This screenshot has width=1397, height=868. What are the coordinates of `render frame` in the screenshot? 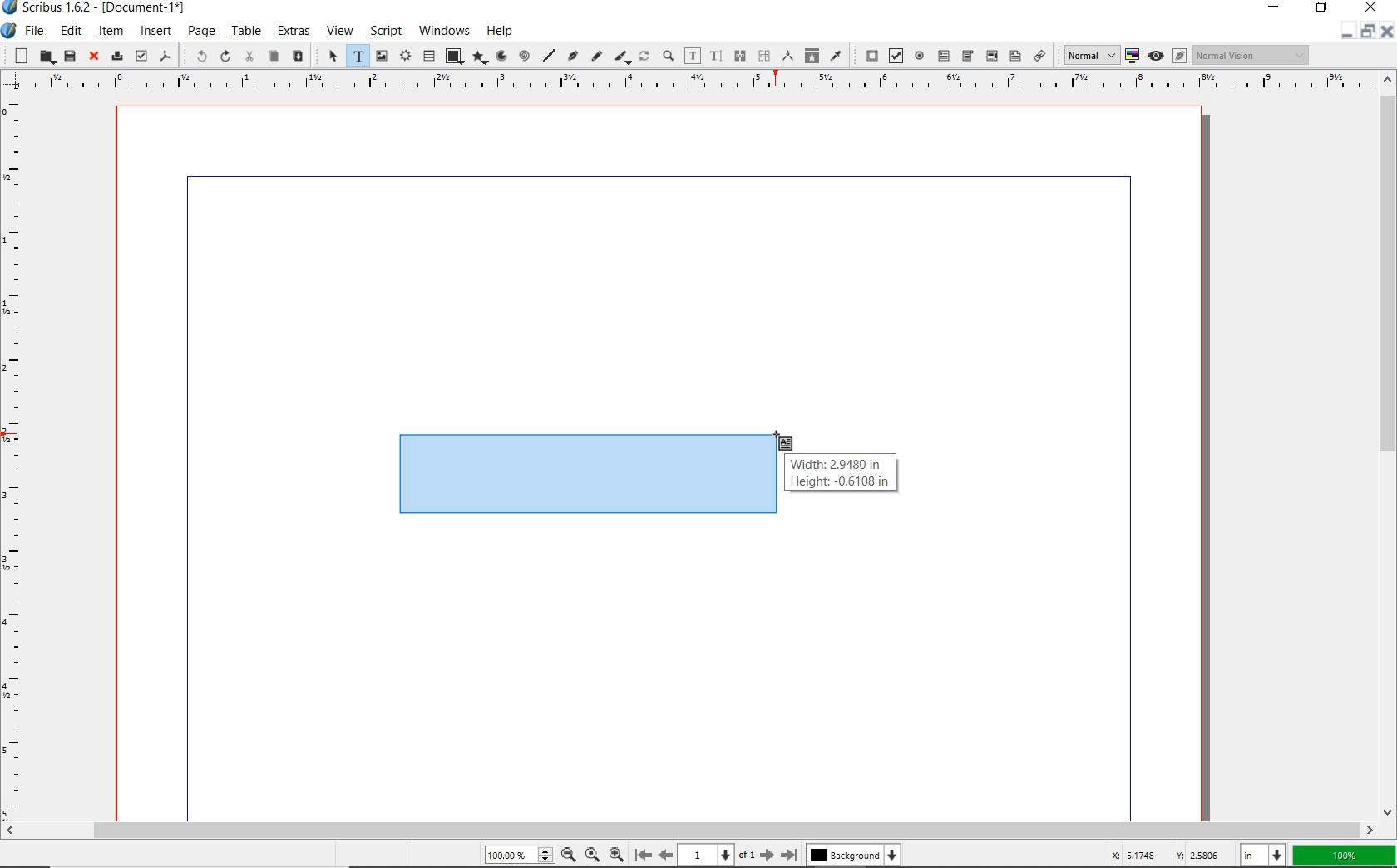 It's located at (405, 57).